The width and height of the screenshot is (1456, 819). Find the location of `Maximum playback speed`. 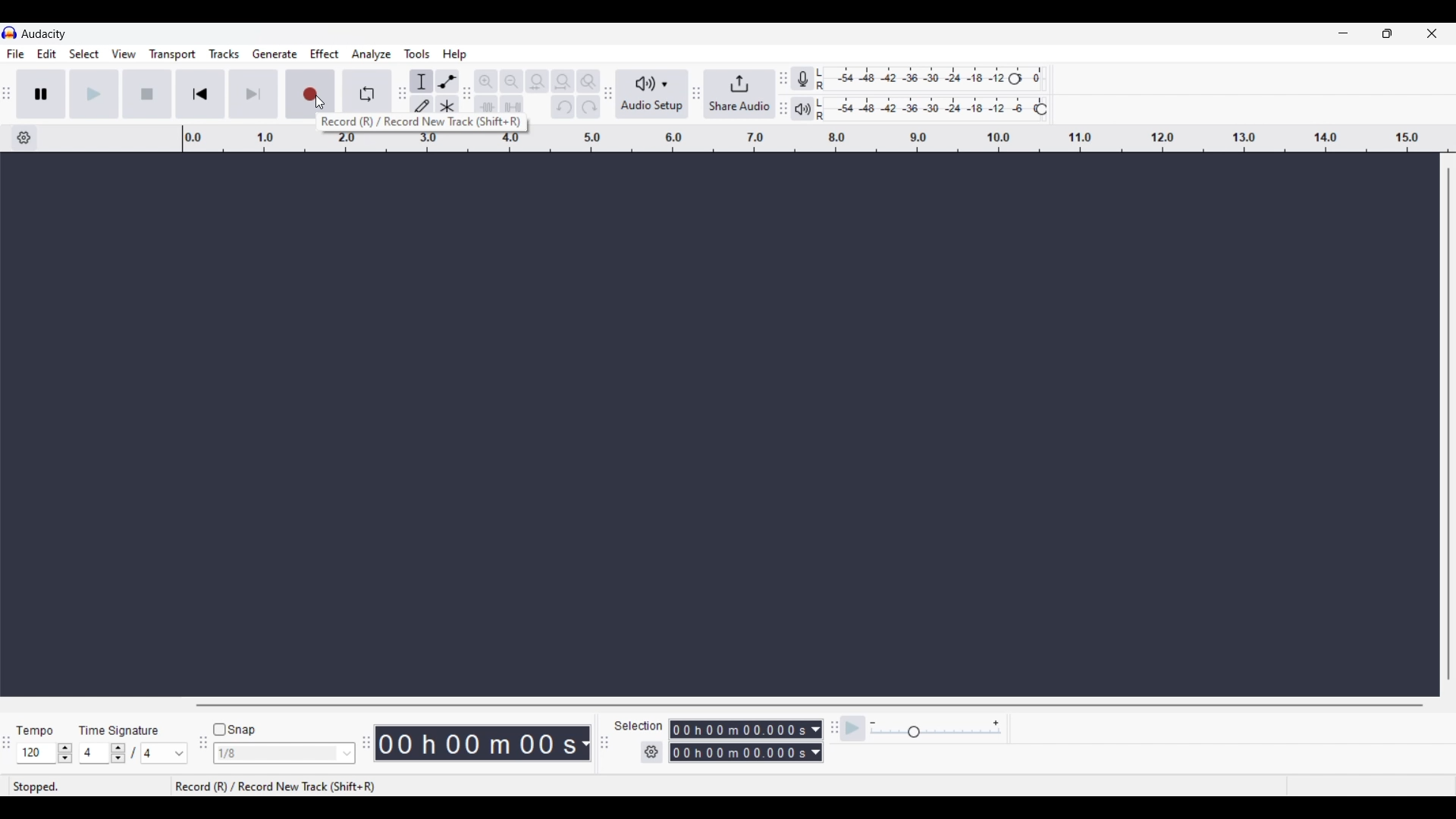

Maximum playback speed is located at coordinates (996, 723).